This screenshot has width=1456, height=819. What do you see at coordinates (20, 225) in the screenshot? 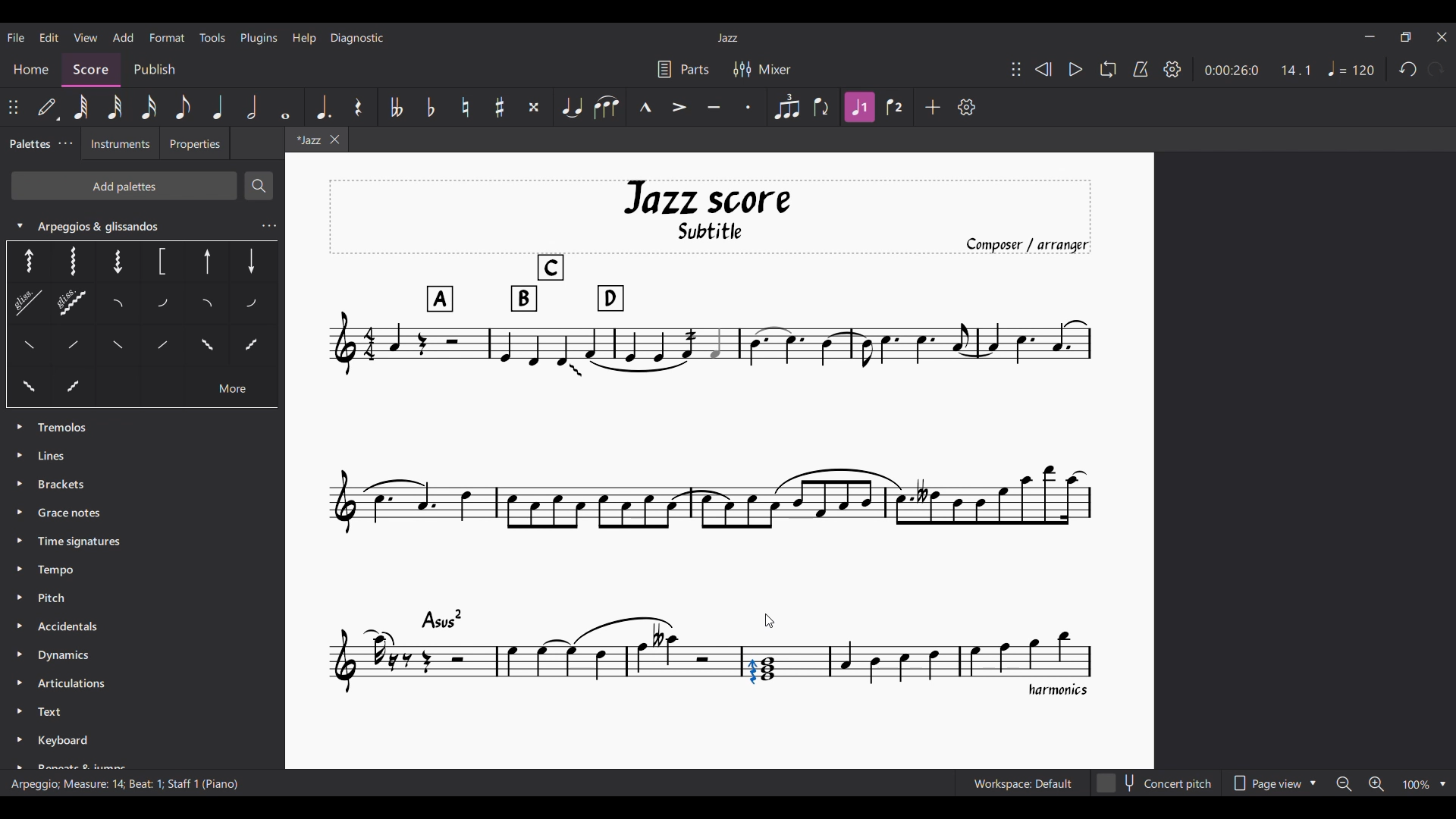
I see `Collapse` at bounding box center [20, 225].